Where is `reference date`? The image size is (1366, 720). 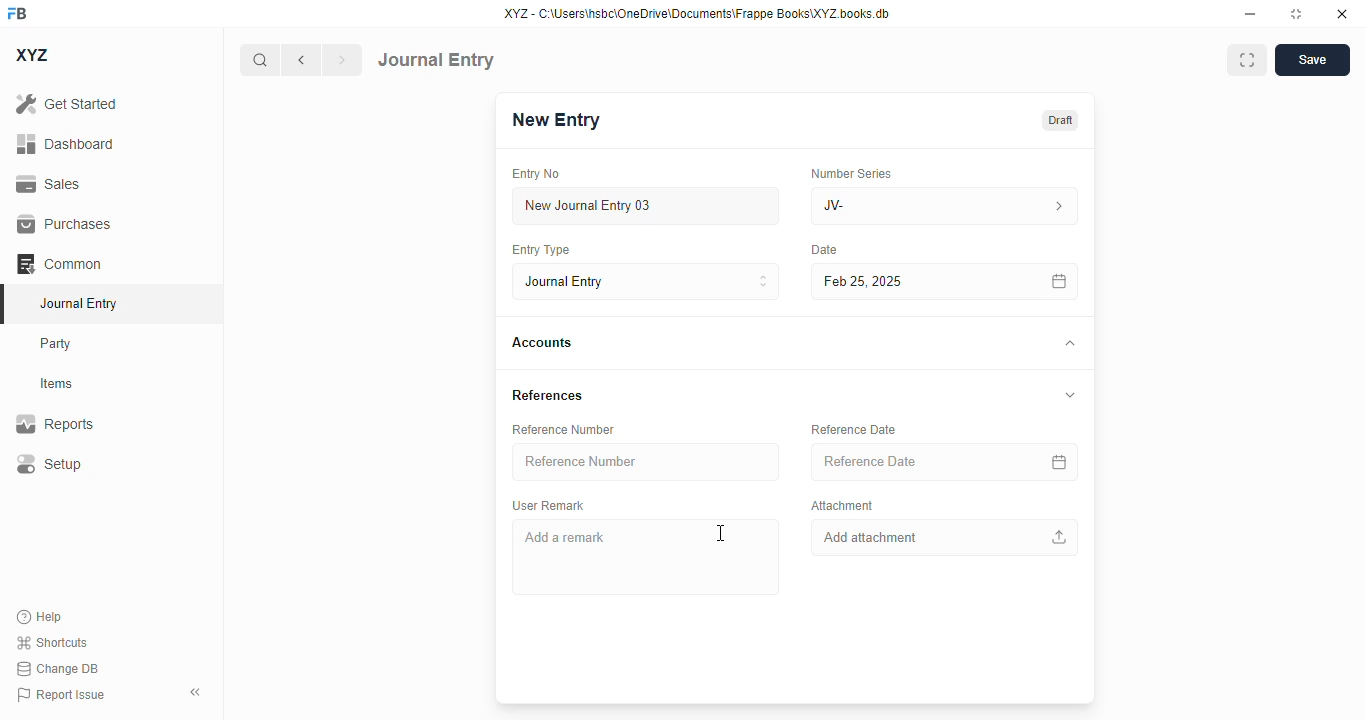
reference date is located at coordinates (902, 462).